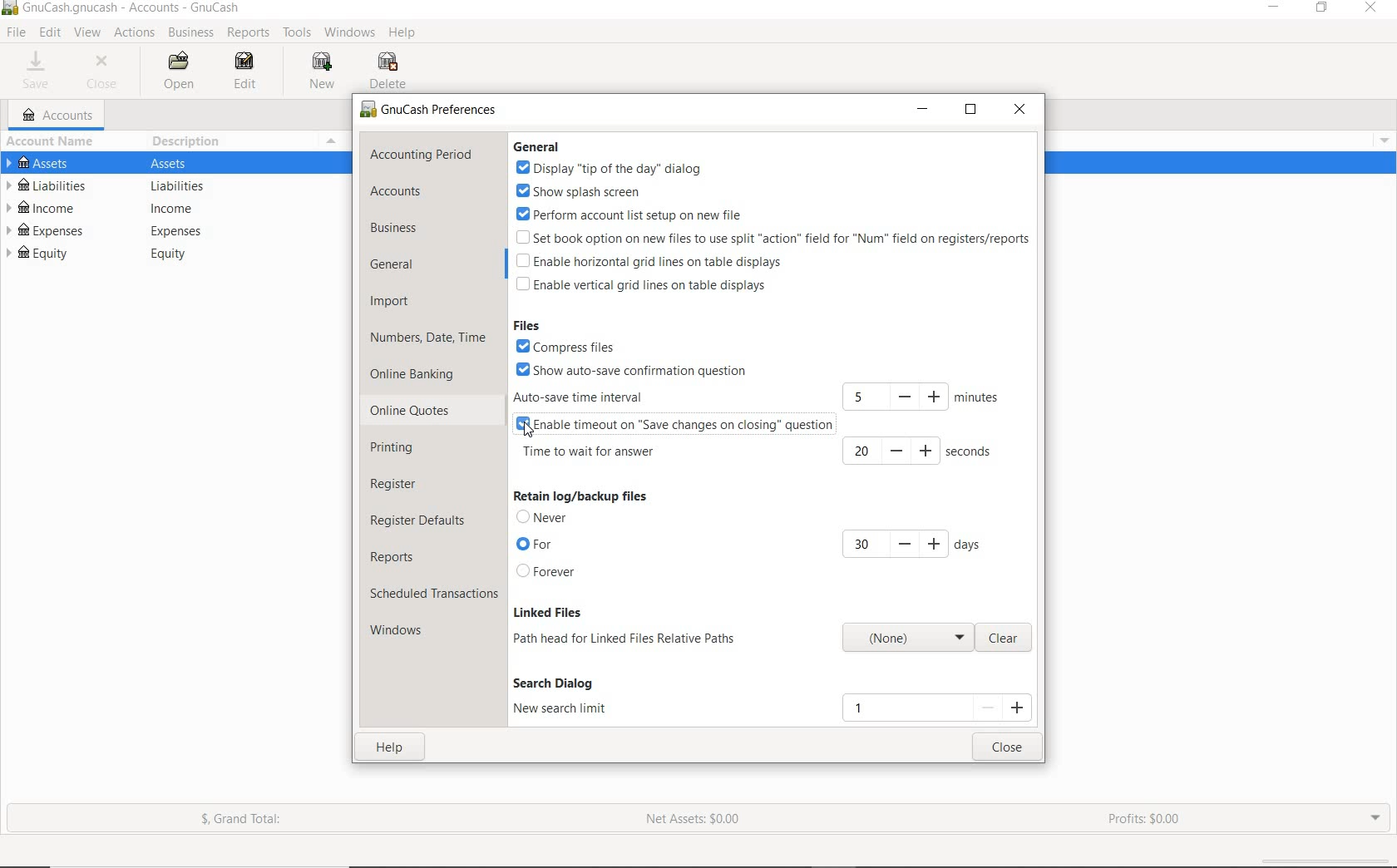 The image size is (1397, 868). Describe the element at coordinates (771, 237) in the screenshot. I see `set book option on new files to use split 'action' field for "nun" field on registers/reports` at that location.